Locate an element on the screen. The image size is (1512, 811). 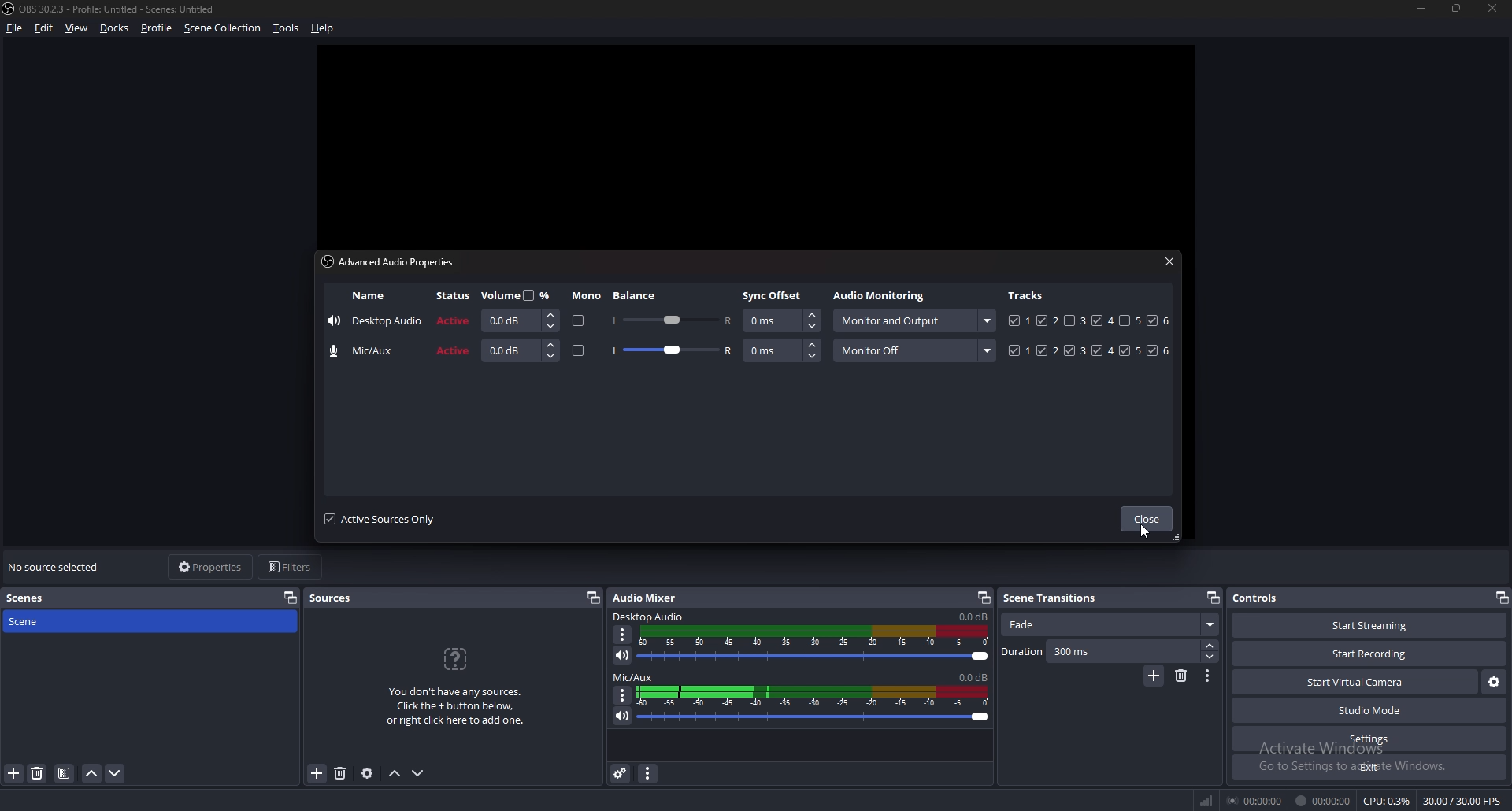
fade is located at coordinates (1109, 625).